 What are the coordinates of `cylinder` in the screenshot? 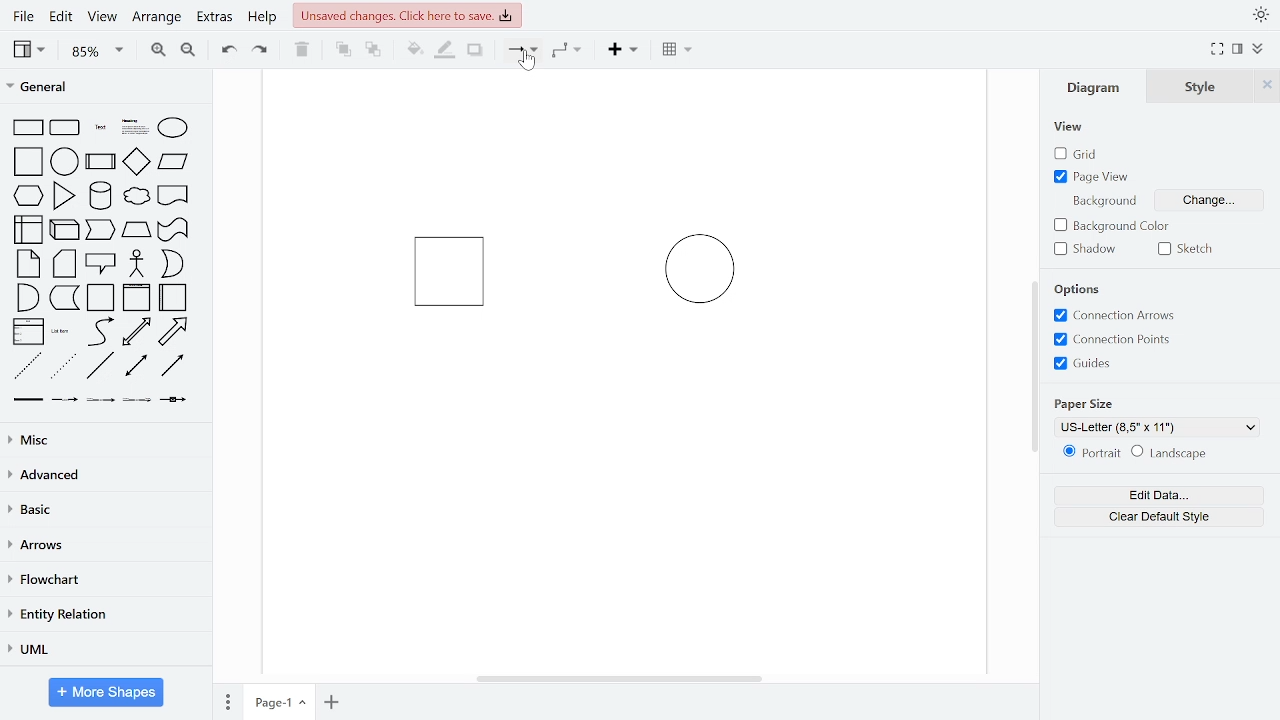 It's located at (102, 197).